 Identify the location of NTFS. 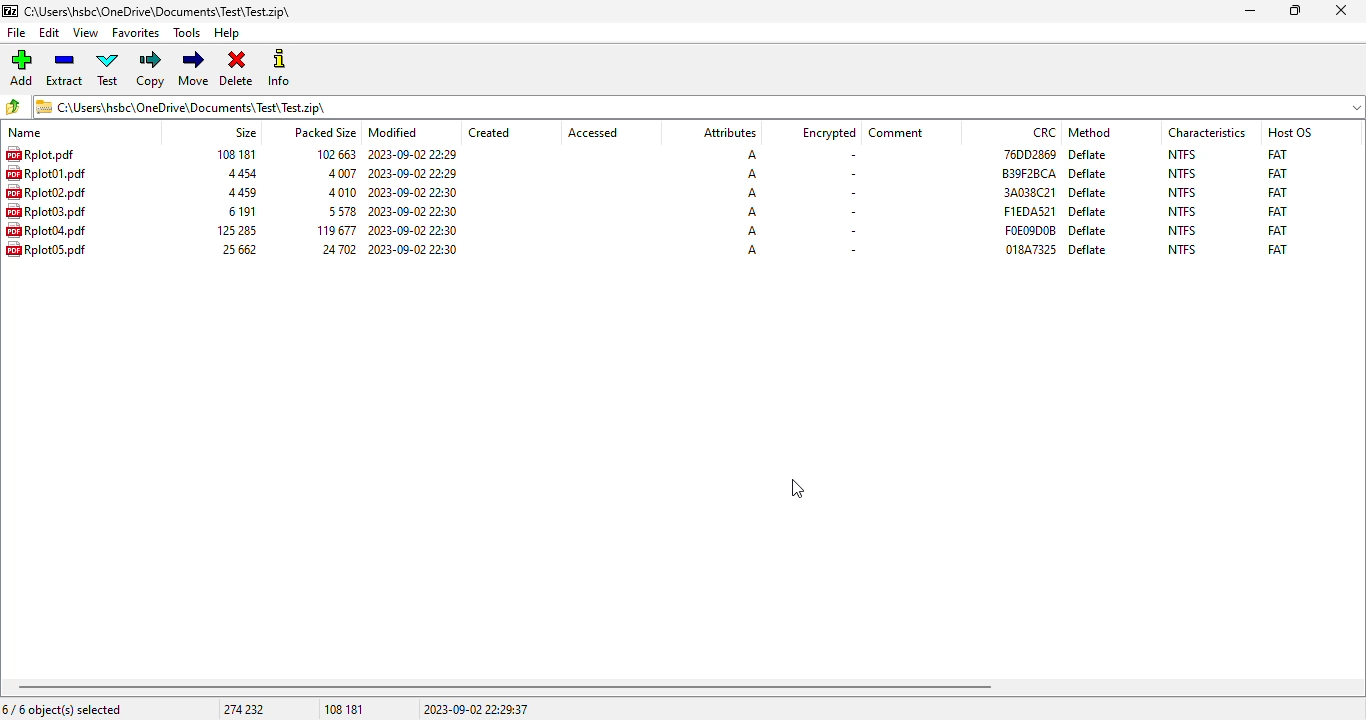
(1183, 230).